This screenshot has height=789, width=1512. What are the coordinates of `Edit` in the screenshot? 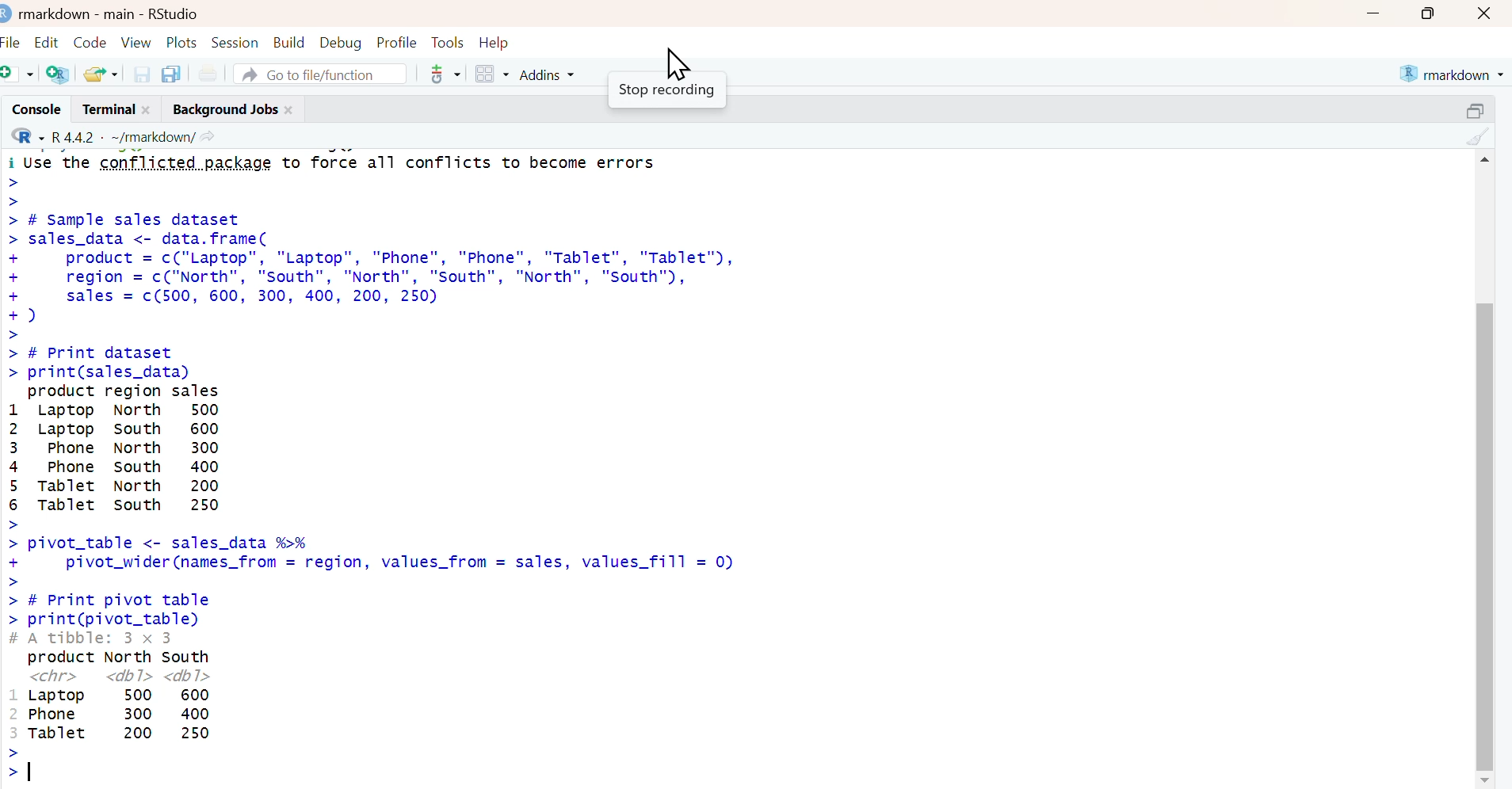 It's located at (48, 39).